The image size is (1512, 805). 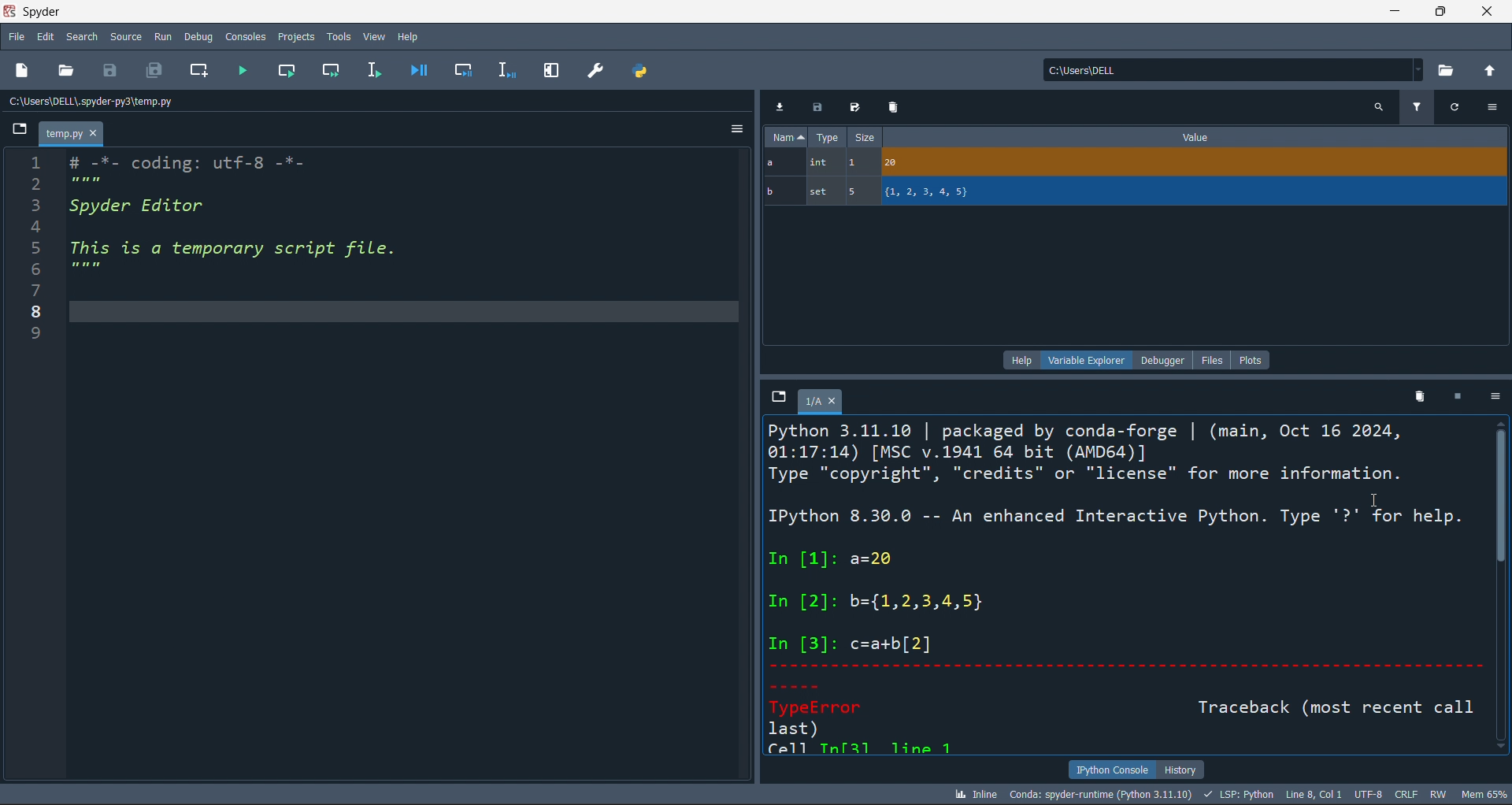 What do you see at coordinates (1439, 11) in the screenshot?
I see `maximize` at bounding box center [1439, 11].